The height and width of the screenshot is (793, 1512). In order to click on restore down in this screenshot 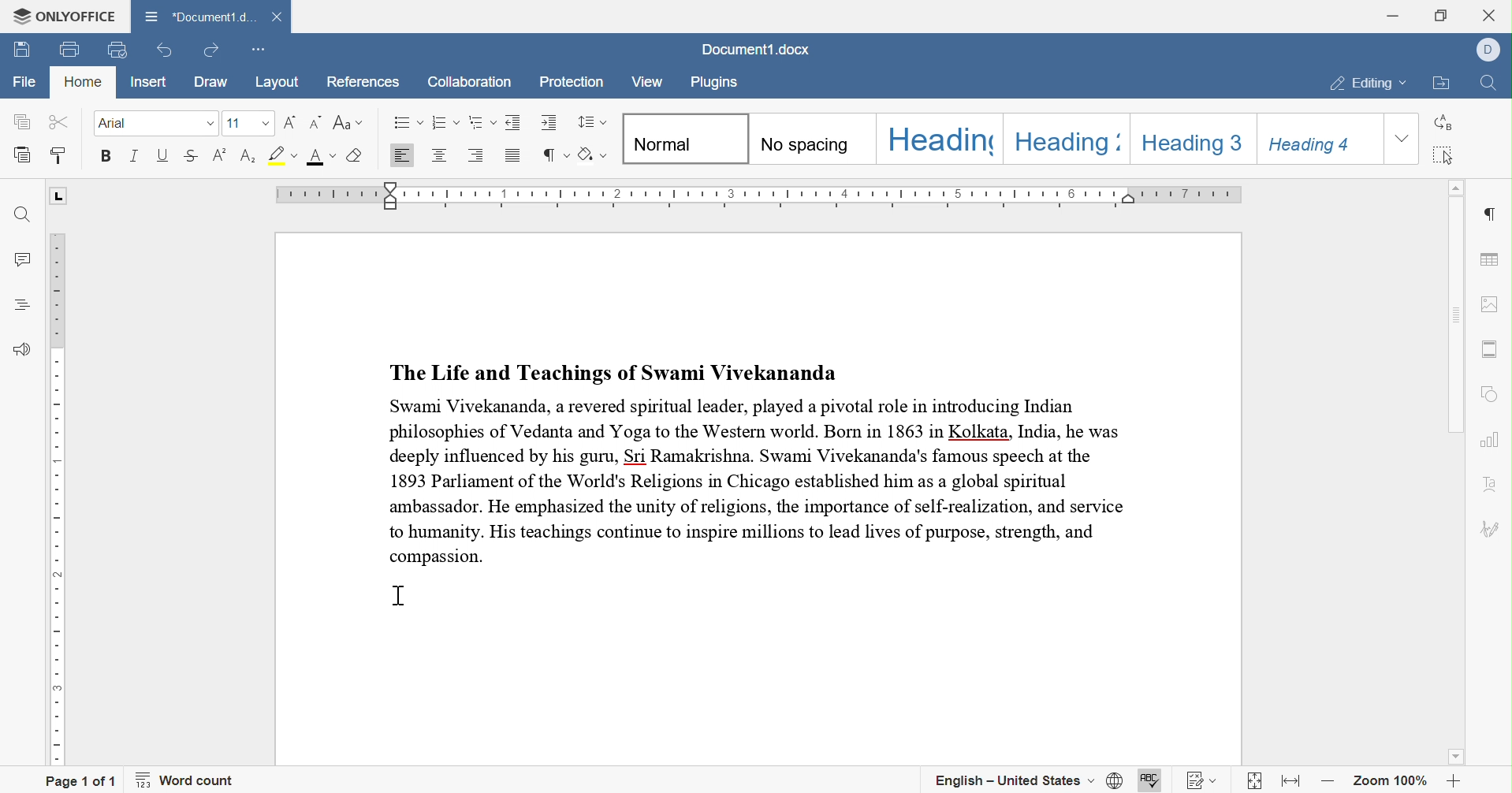, I will do `click(1443, 13)`.